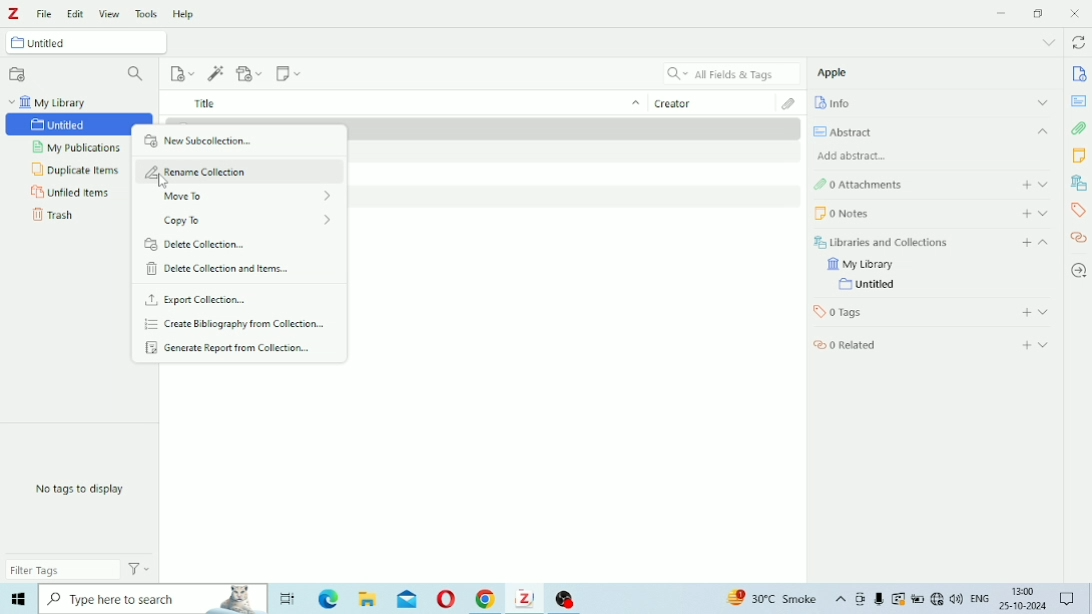 The image size is (1092, 614). I want to click on Copy To., so click(244, 219).